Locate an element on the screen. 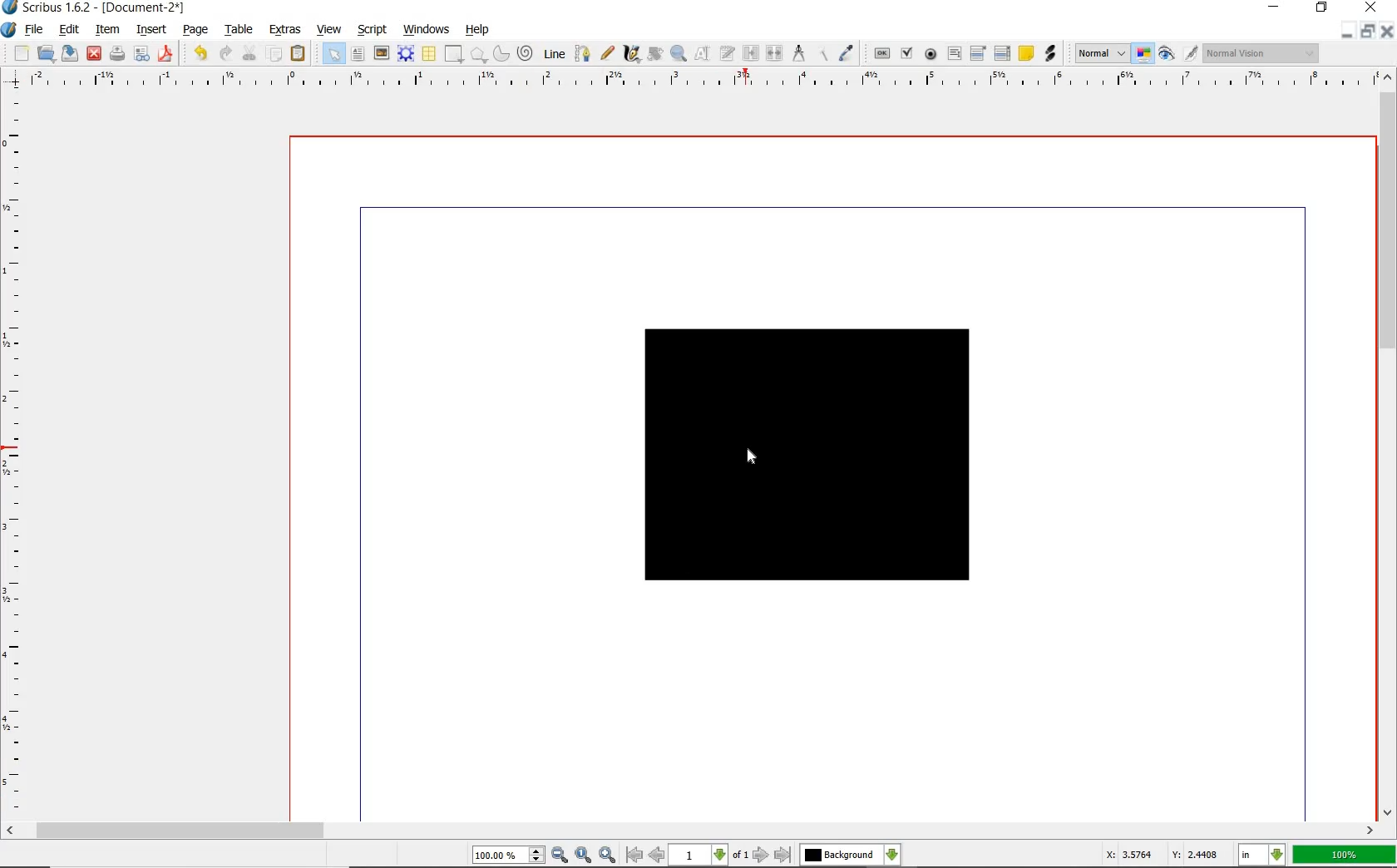  line is located at coordinates (555, 53).